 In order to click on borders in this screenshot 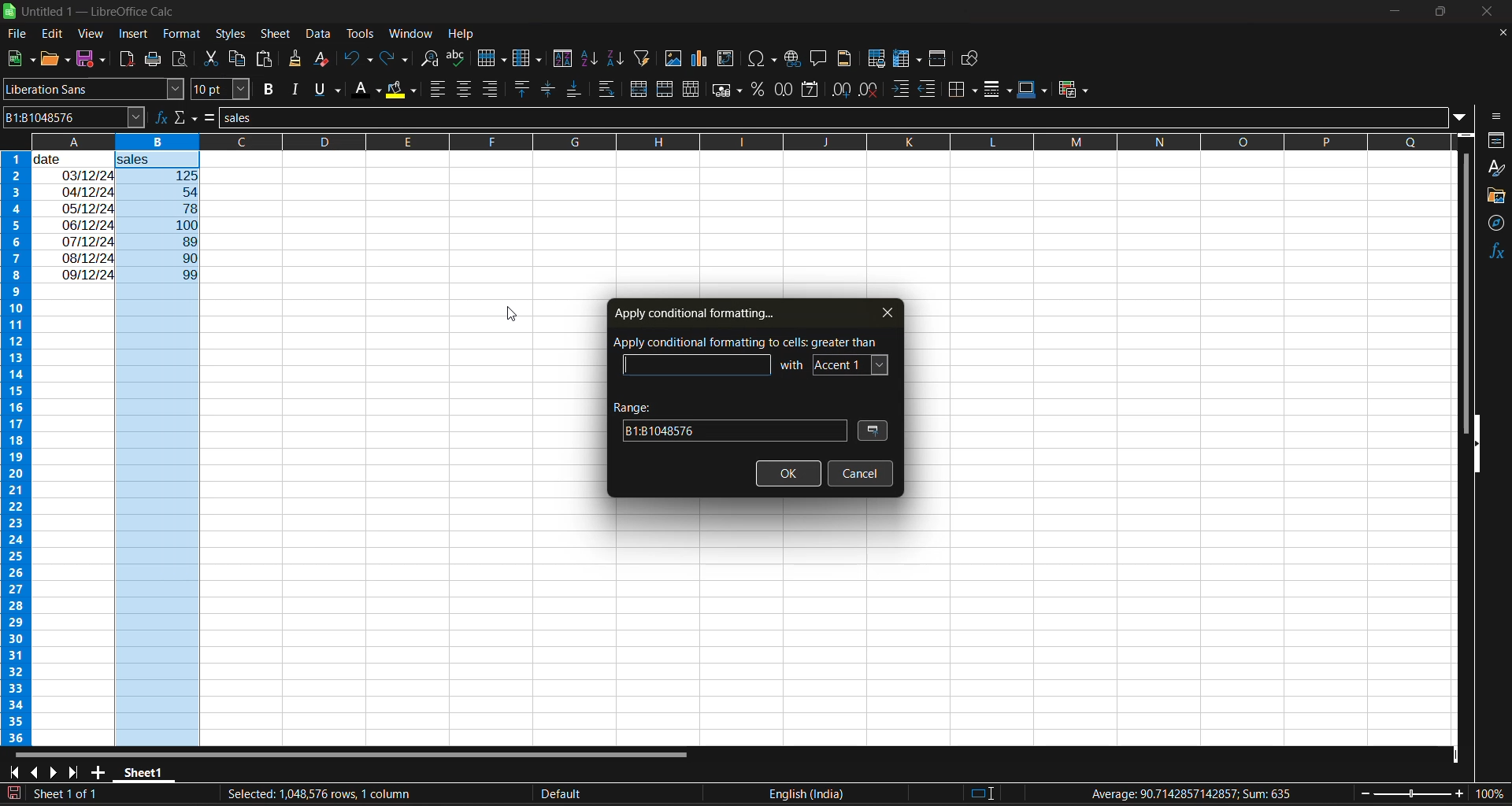, I will do `click(966, 89)`.